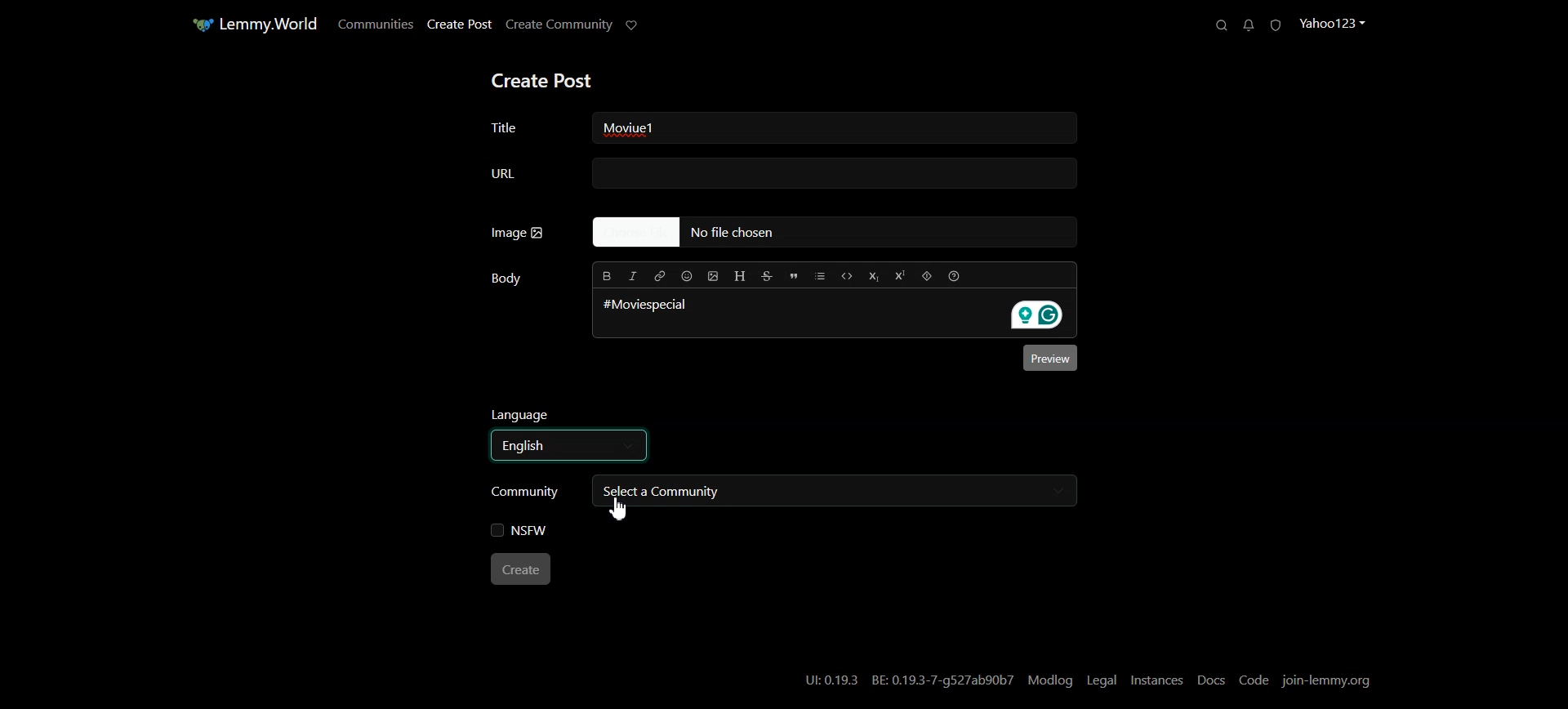 This screenshot has width=1568, height=709. I want to click on Select a community, so click(831, 491).